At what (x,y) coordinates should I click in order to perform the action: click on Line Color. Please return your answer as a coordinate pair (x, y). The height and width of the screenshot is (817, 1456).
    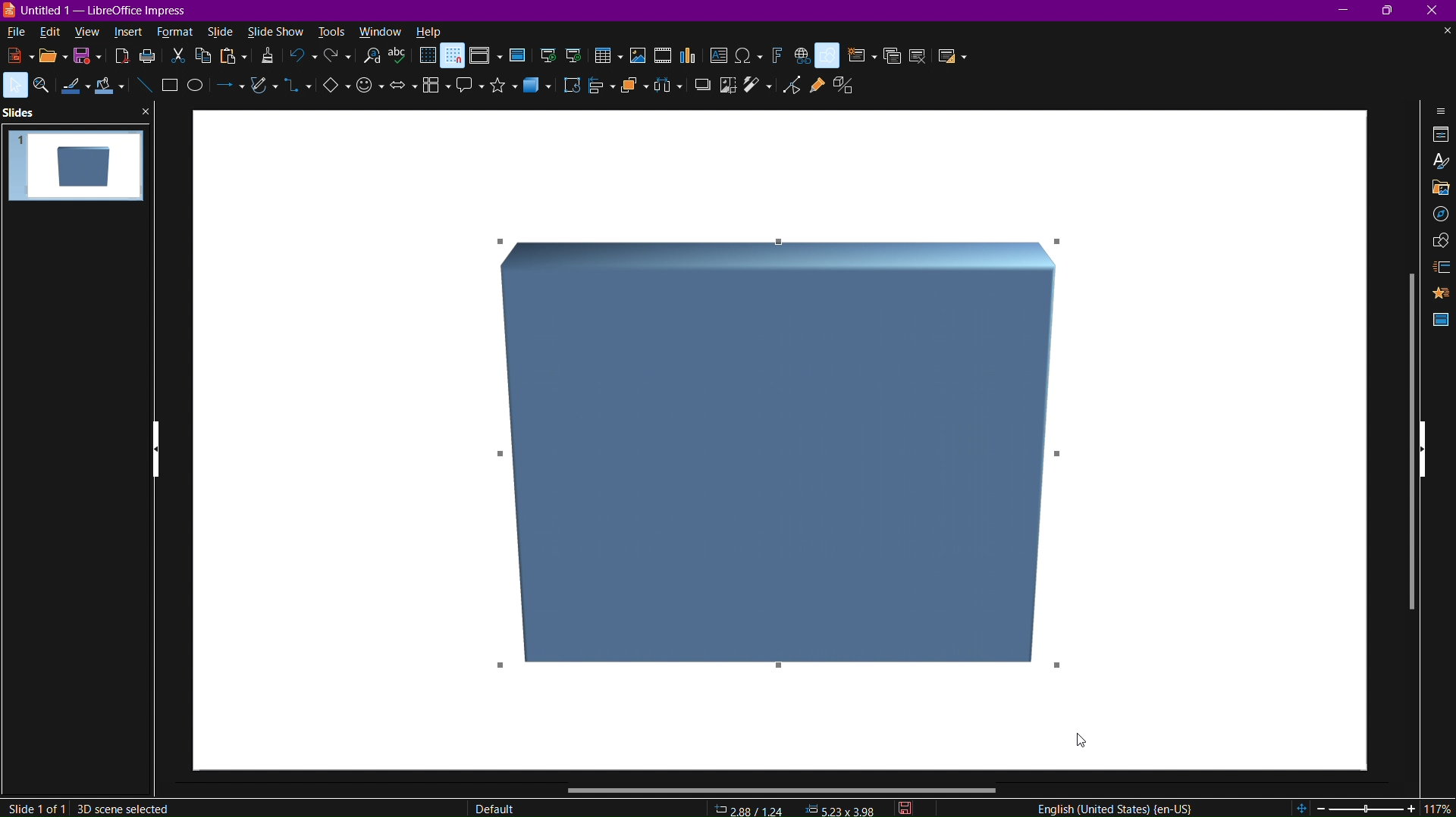
    Looking at the image, I should click on (74, 89).